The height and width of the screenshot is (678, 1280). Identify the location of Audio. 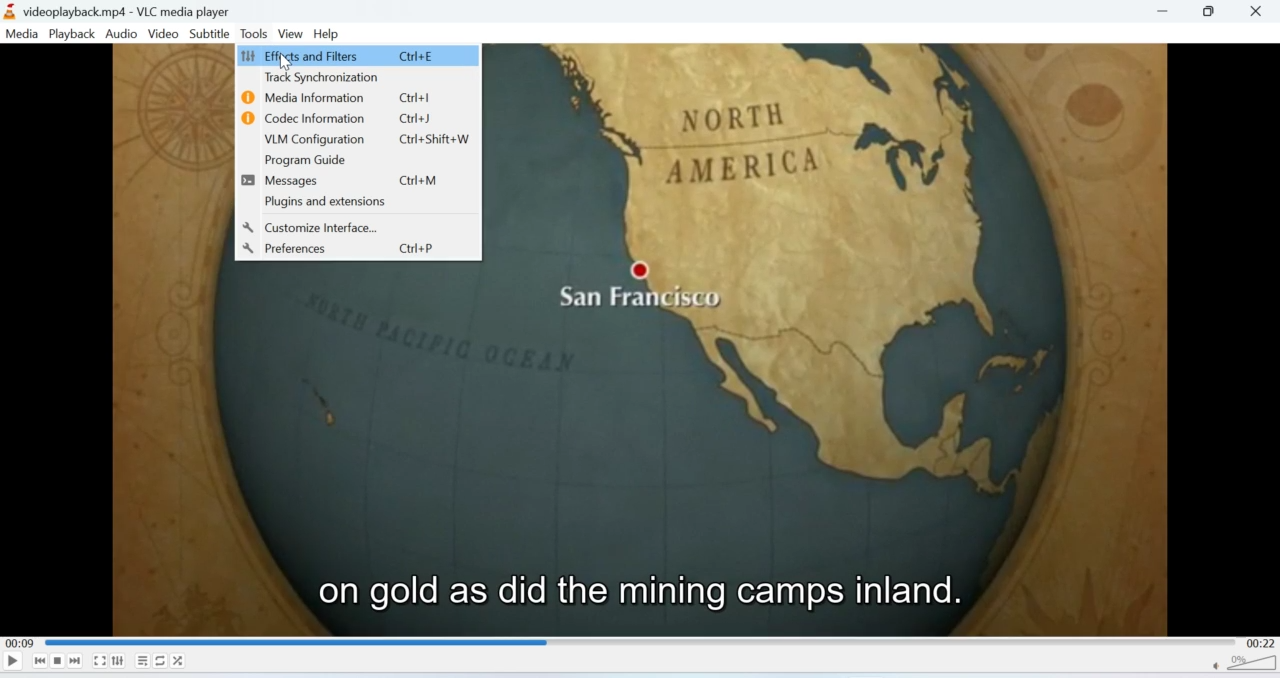
(122, 34).